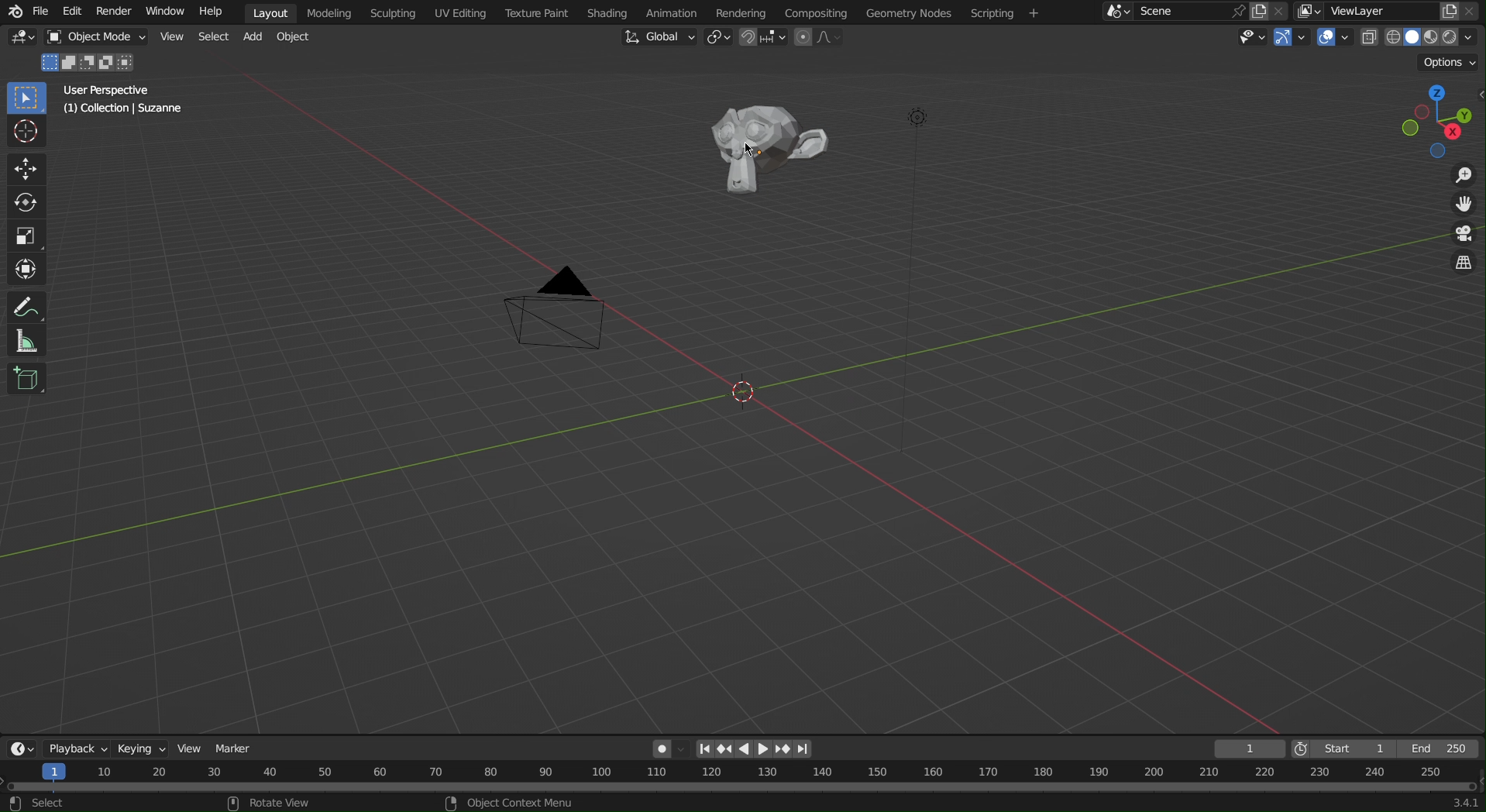 The height and width of the screenshot is (812, 1486). I want to click on pin, so click(1238, 12).